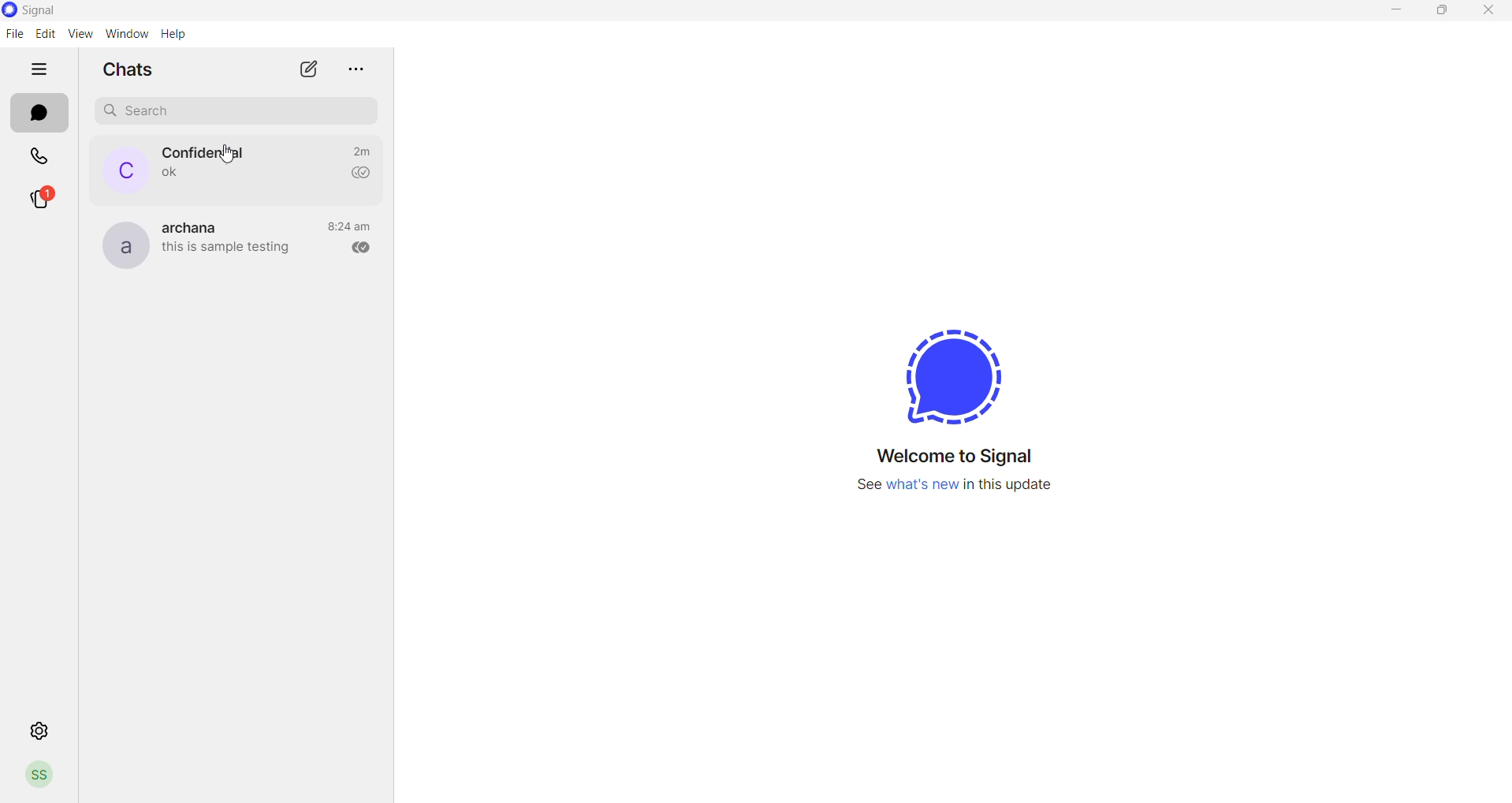  I want to click on close, so click(1487, 13).